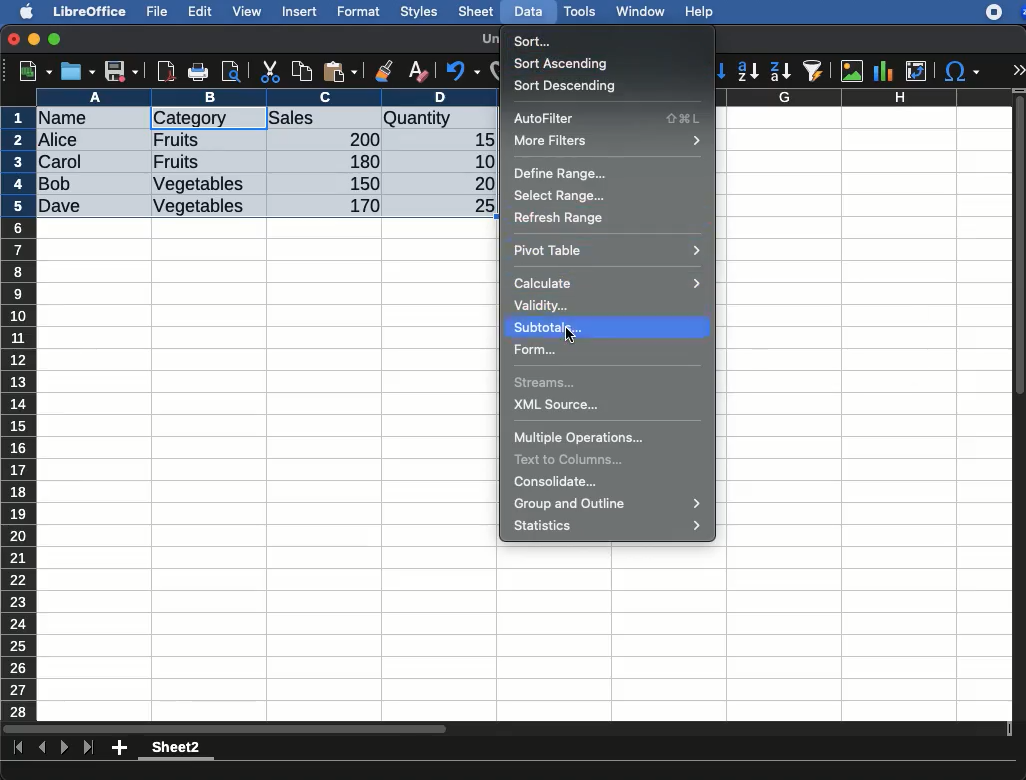 Image resolution: width=1026 pixels, height=780 pixels. I want to click on clone formatting, so click(384, 72).